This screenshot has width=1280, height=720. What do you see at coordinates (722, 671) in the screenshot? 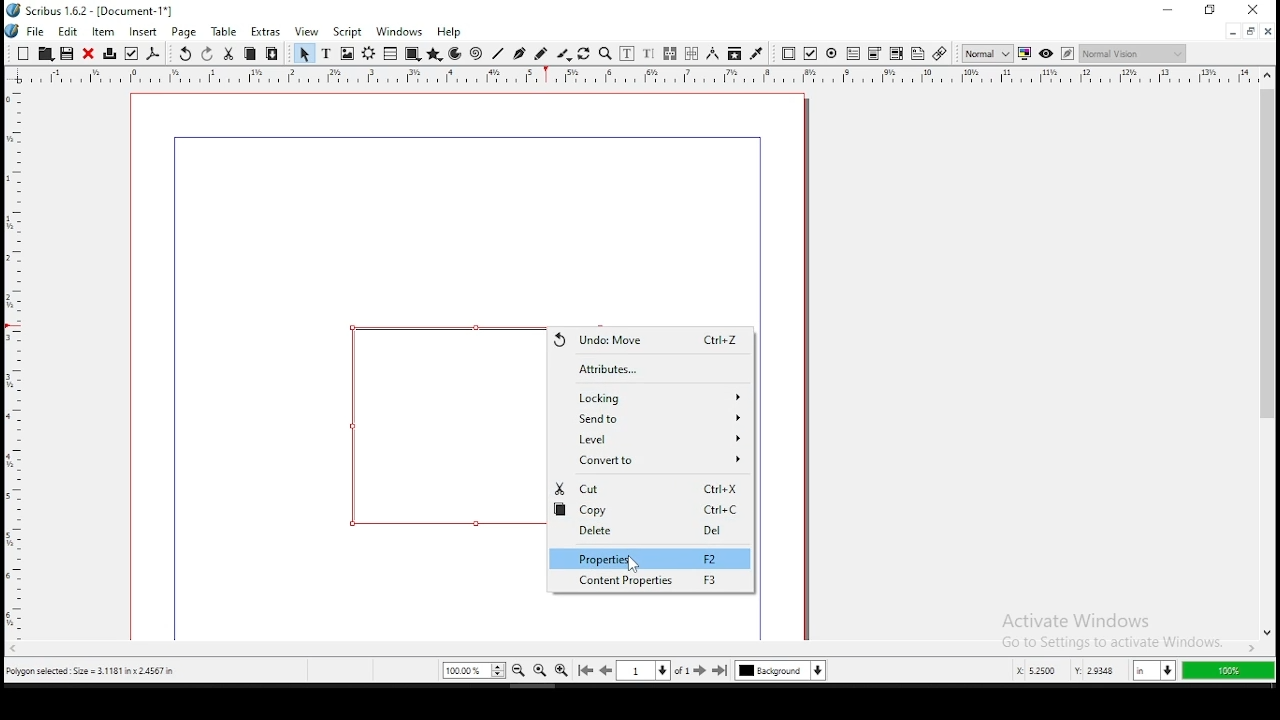
I see `go to last page` at bounding box center [722, 671].